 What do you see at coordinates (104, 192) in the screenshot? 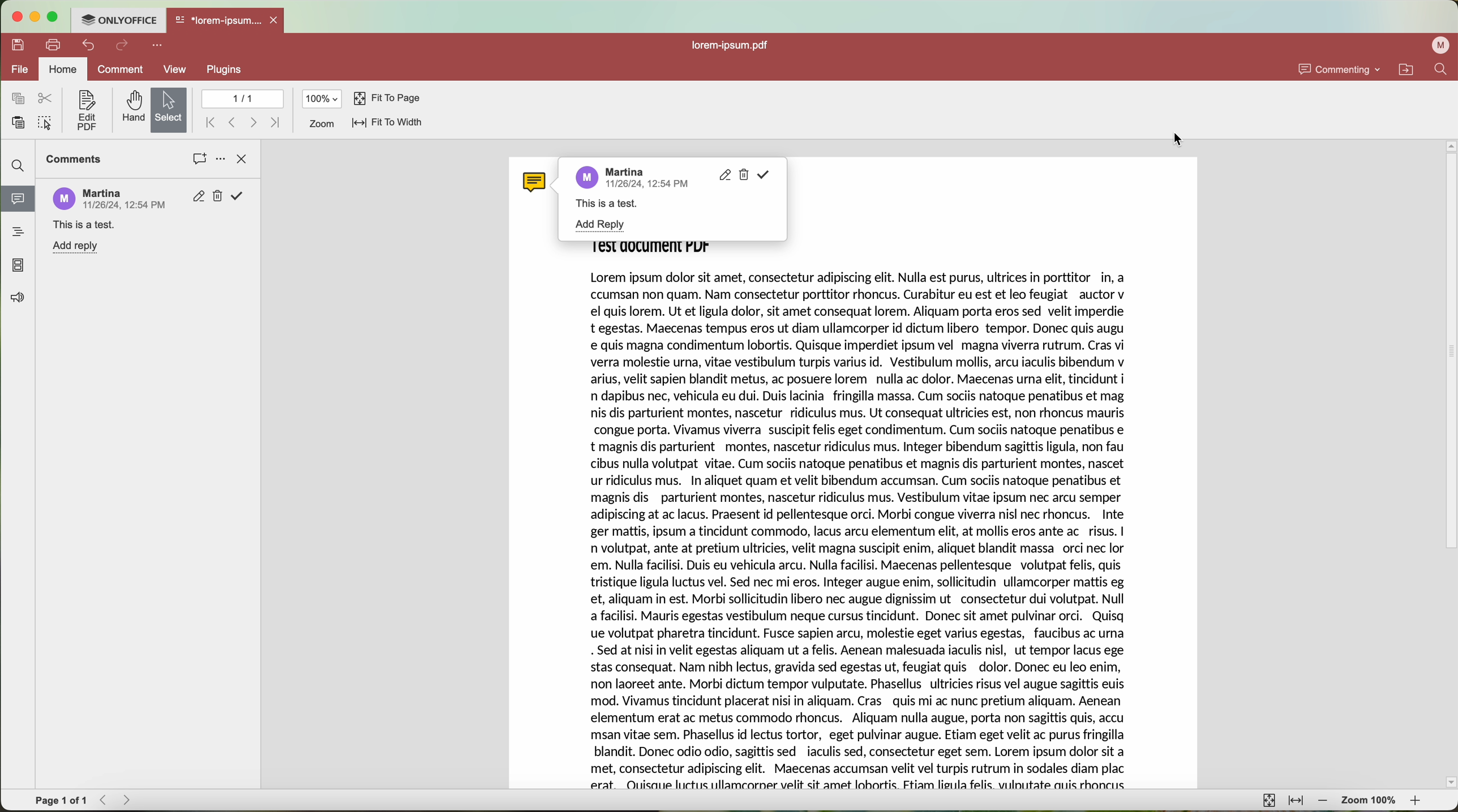
I see `Martina` at bounding box center [104, 192].